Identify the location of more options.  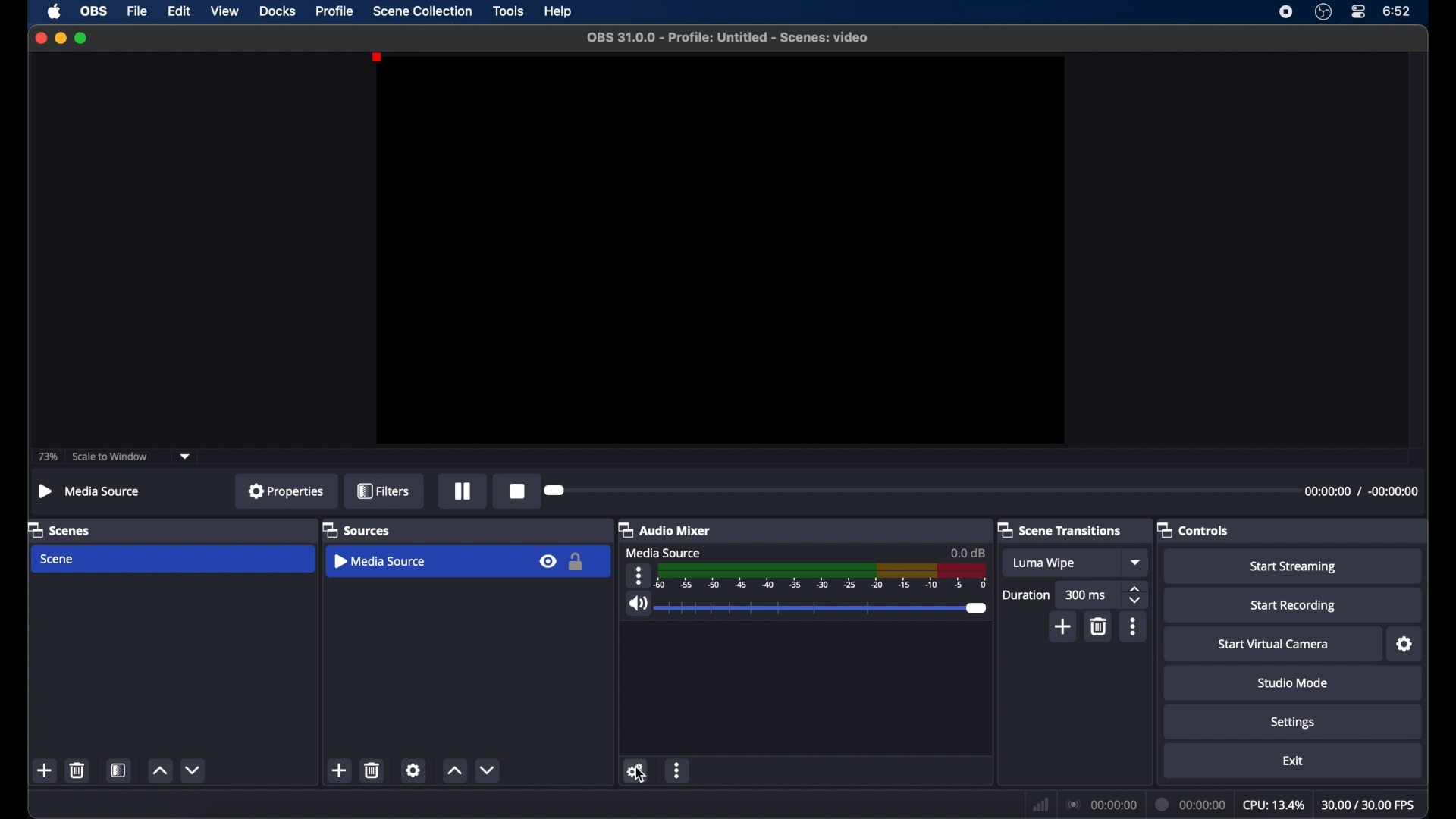
(639, 576).